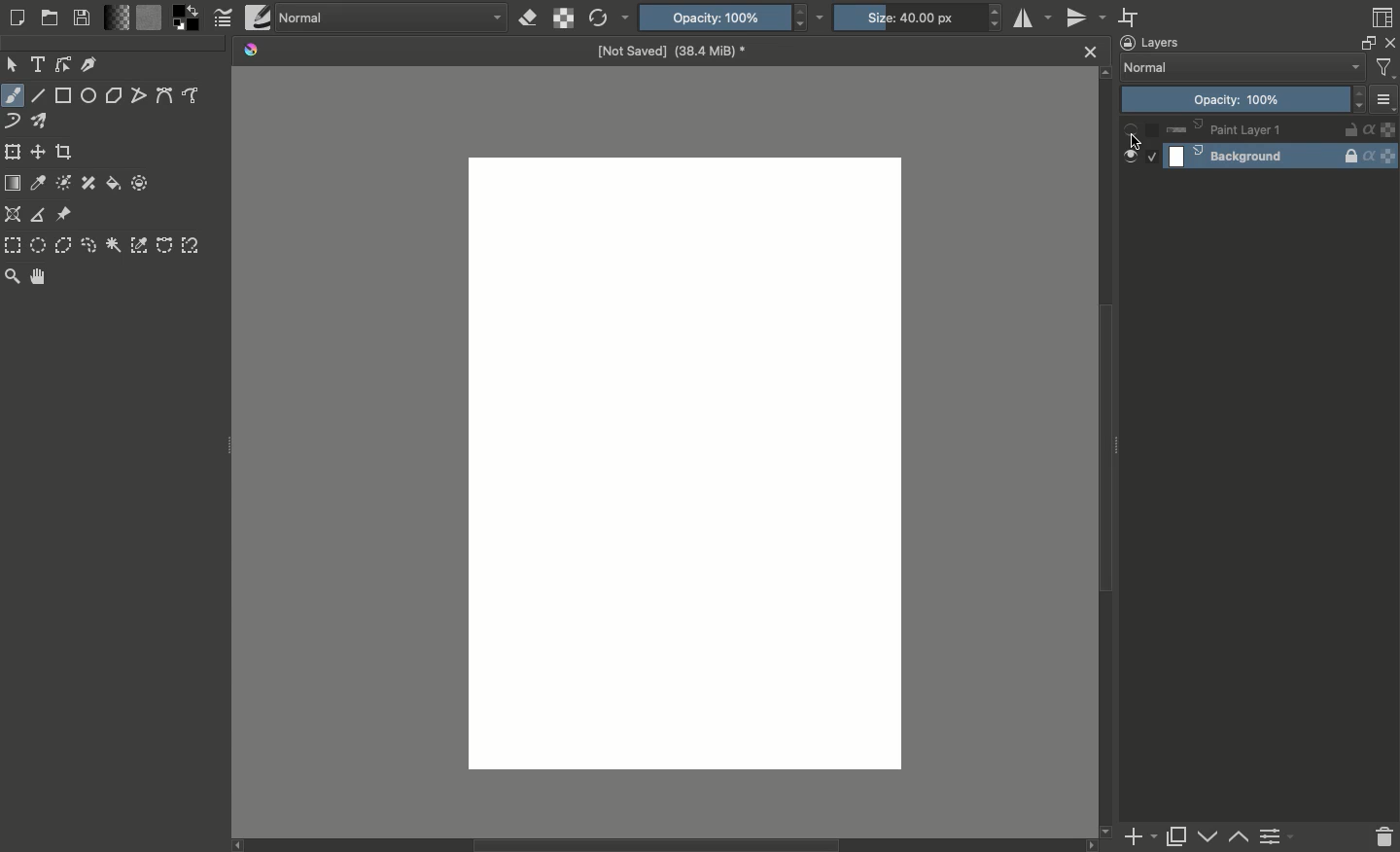  What do you see at coordinates (1136, 143) in the screenshot?
I see `cursor` at bounding box center [1136, 143].